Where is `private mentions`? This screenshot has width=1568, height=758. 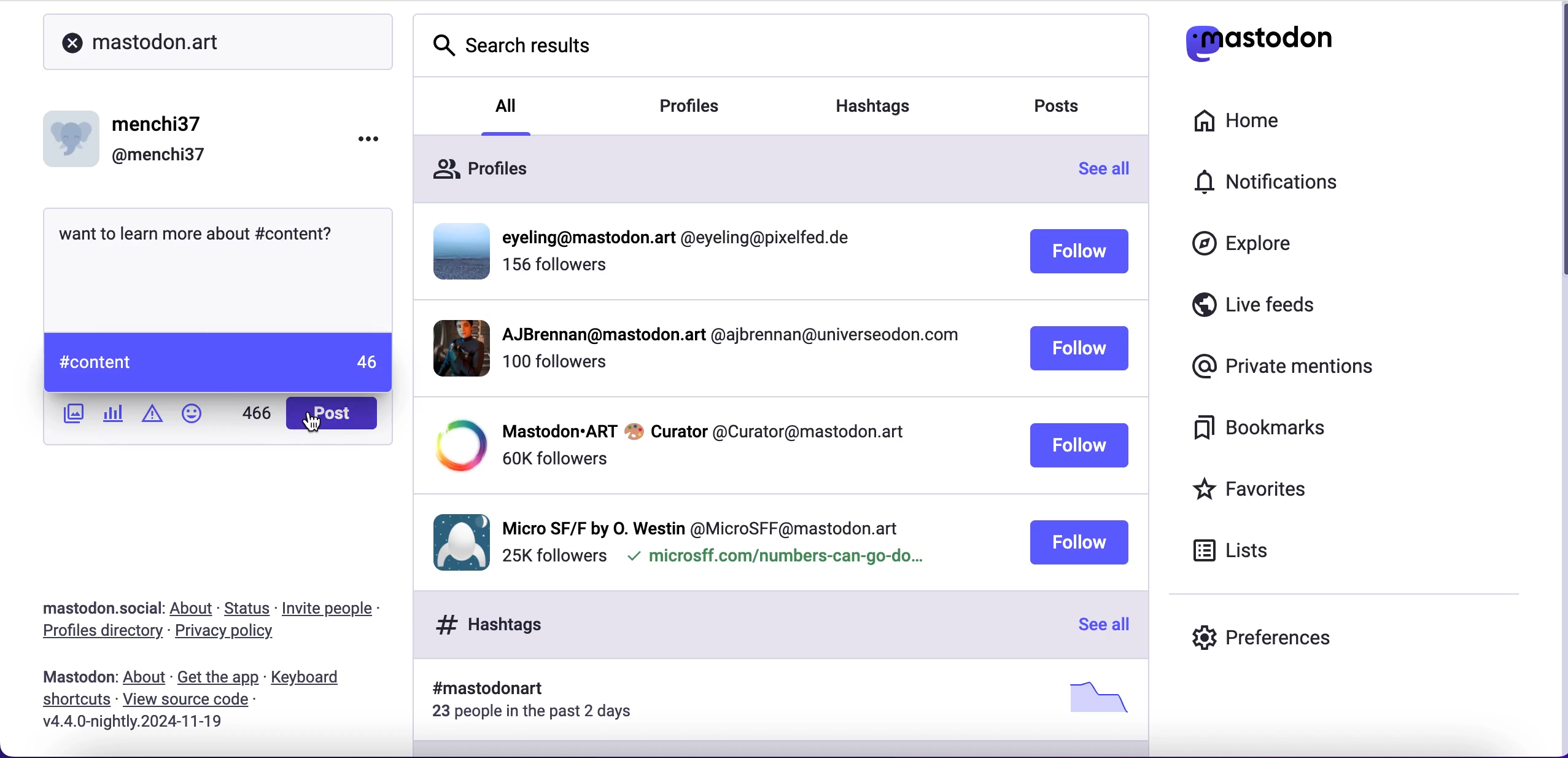 private mentions is located at coordinates (1278, 367).